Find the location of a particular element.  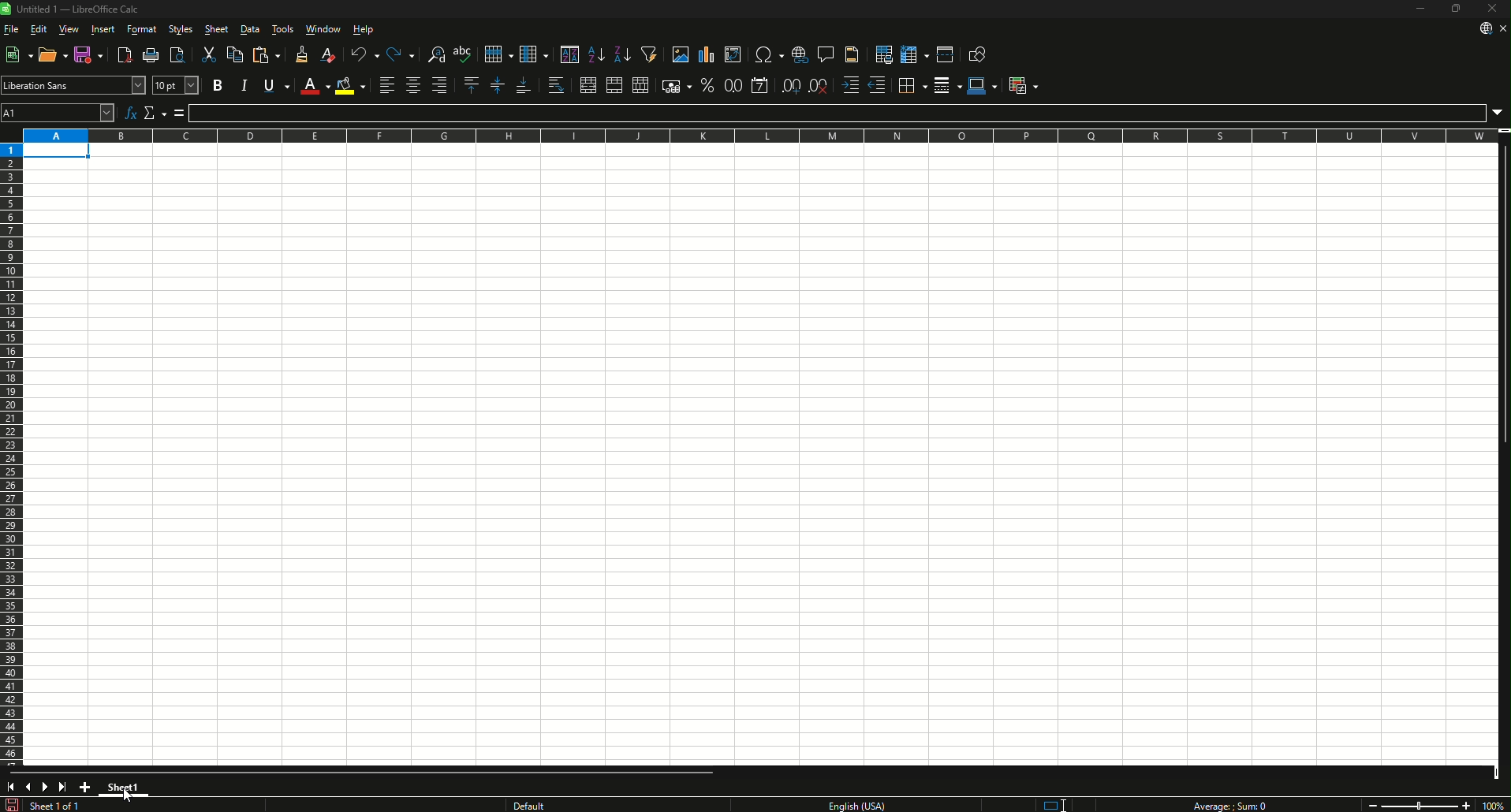

Edit is located at coordinates (38, 28).